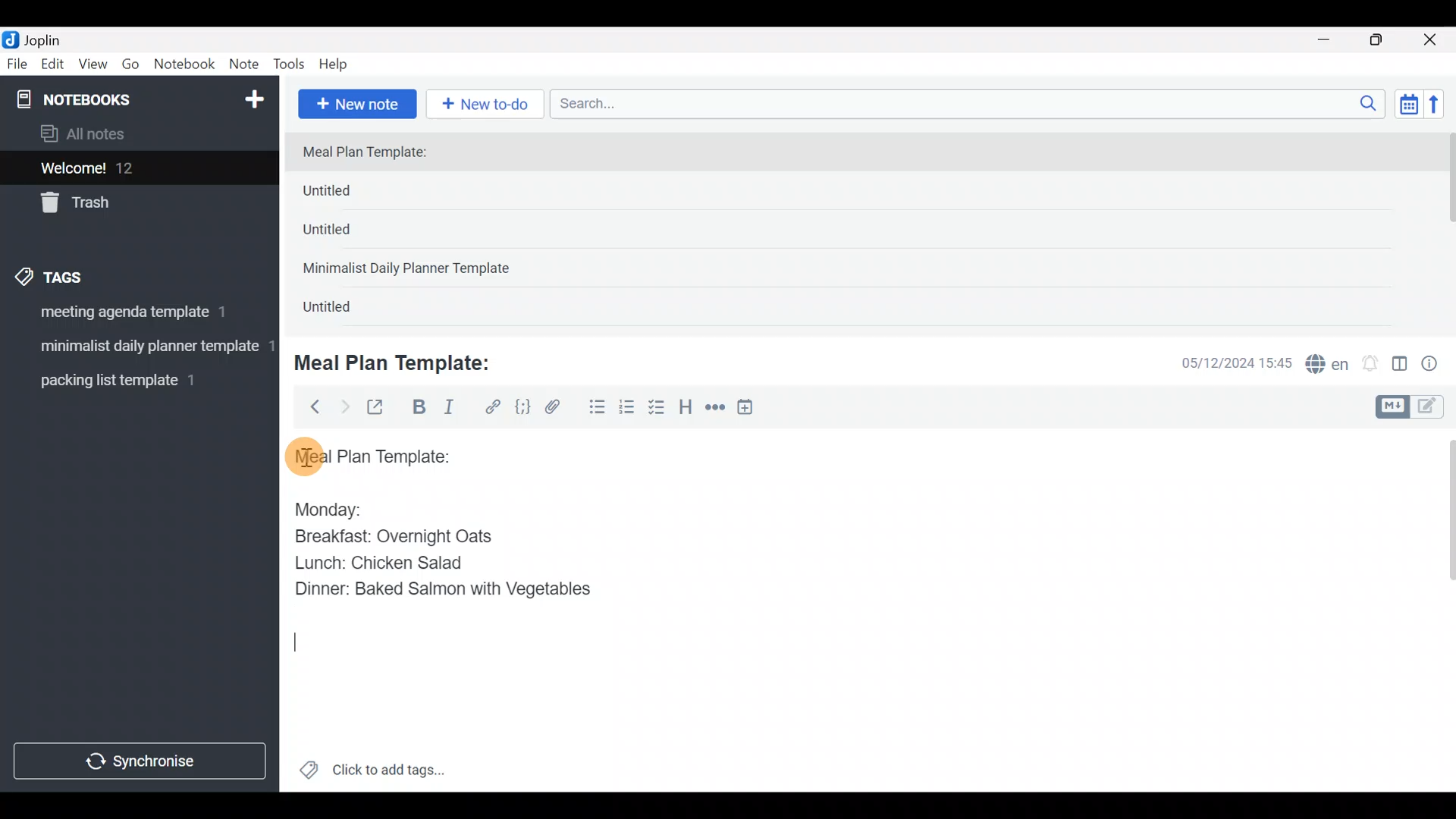 The image size is (1456, 819). What do you see at coordinates (137, 169) in the screenshot?
I see `Welcome!` at bounding box center [137, 169].